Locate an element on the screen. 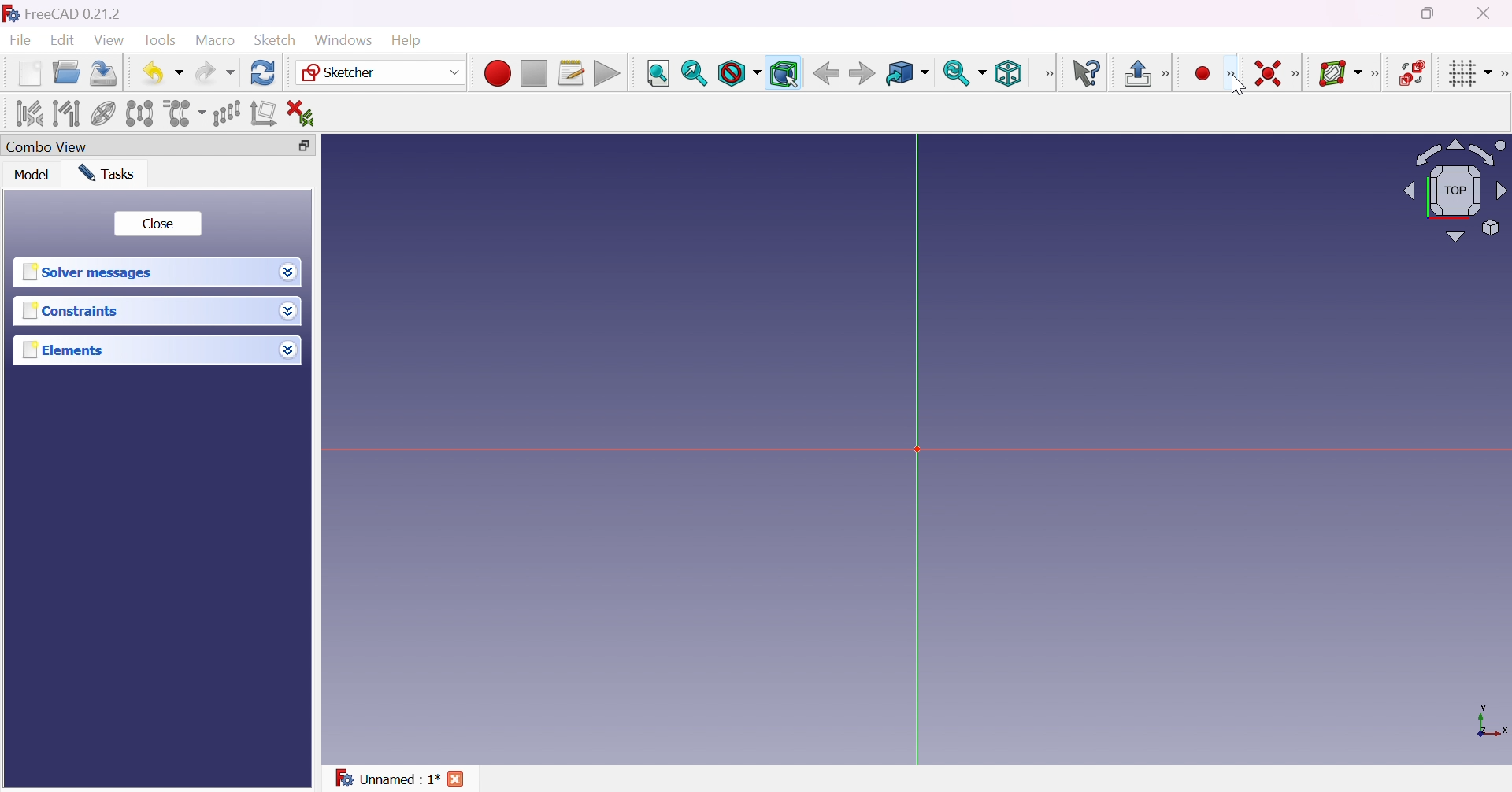 The height and width of the screenshot is (792, 1512). [Sketcher edit model] is located at coordinates (1167, 75).